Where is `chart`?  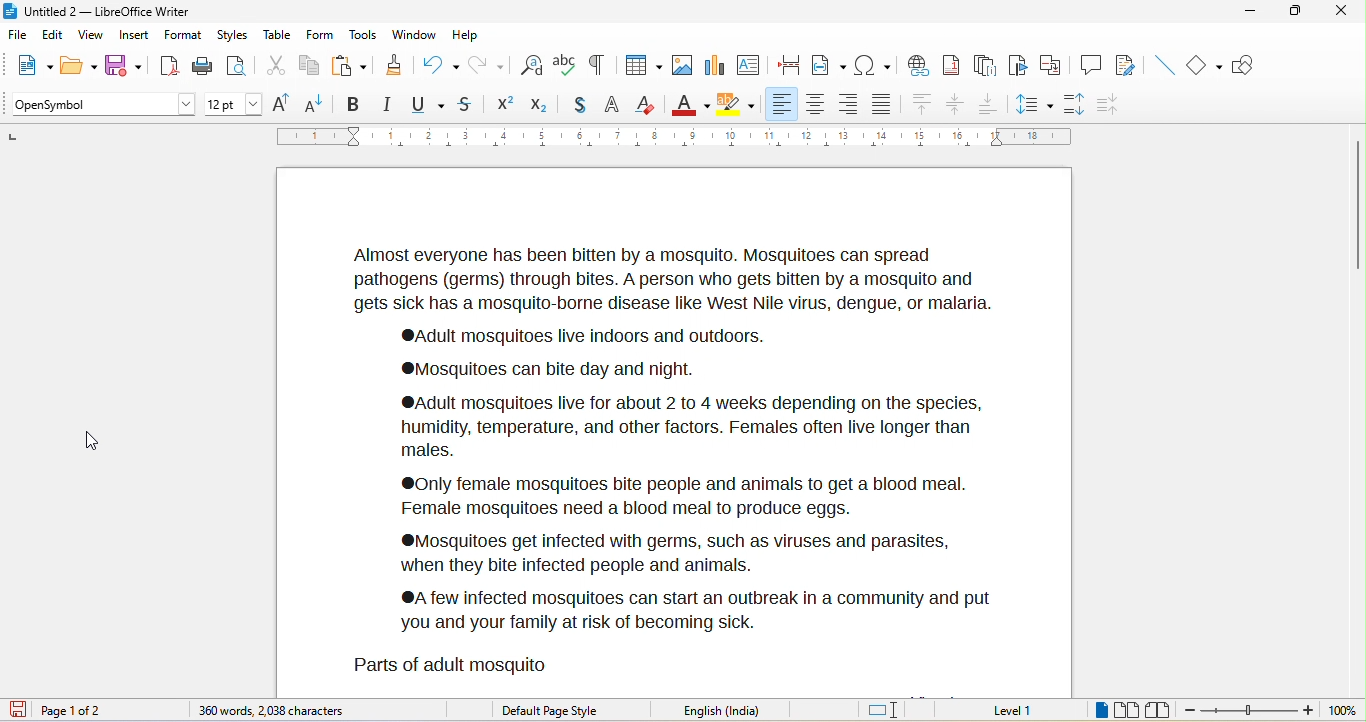 chart is located at coordinates (715, 64).